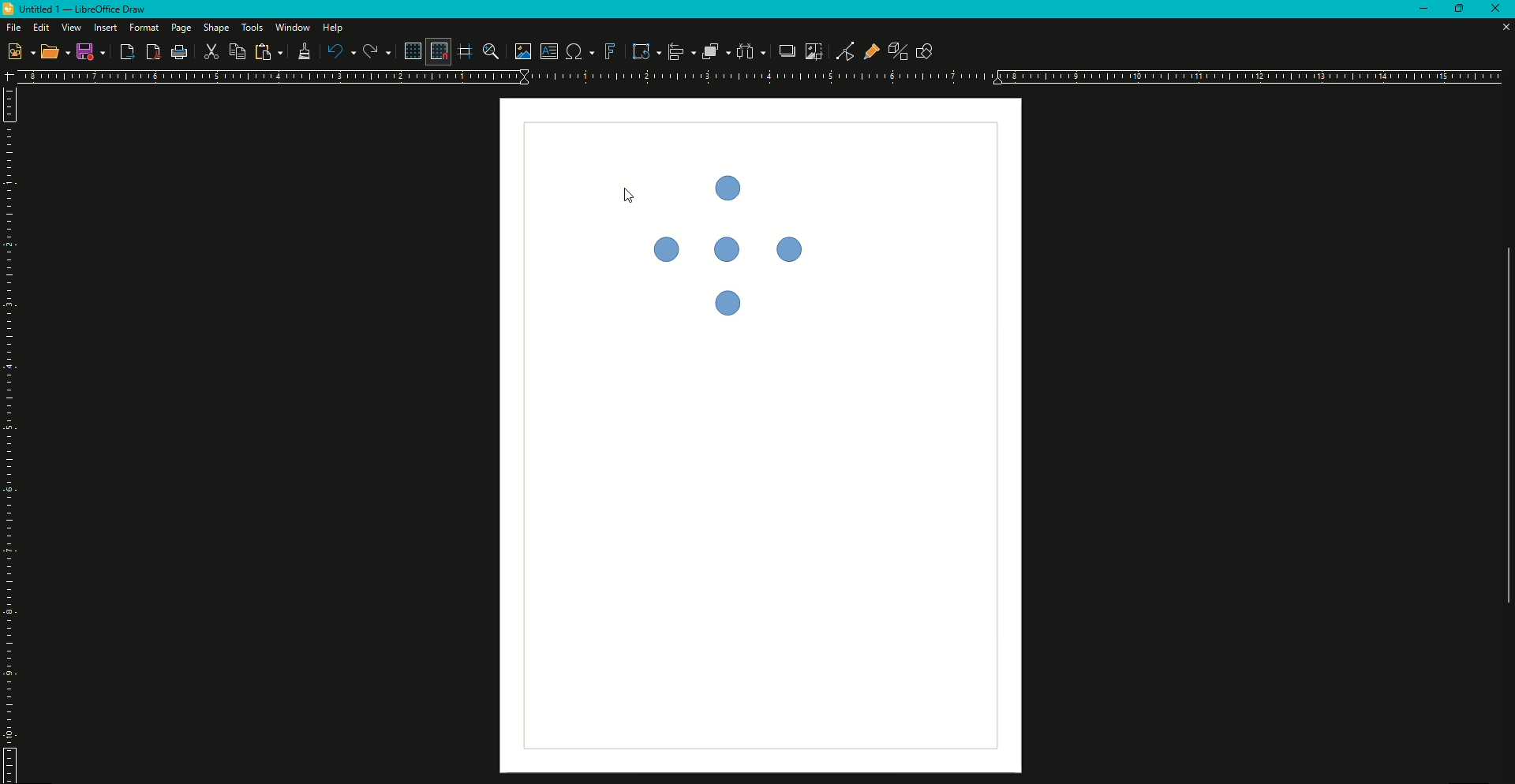 Image resolution: width=1515 pixels, height=784 pixels. Describe the element at coordinates (332, 28) in the screenshot. I see `Help` at that location.